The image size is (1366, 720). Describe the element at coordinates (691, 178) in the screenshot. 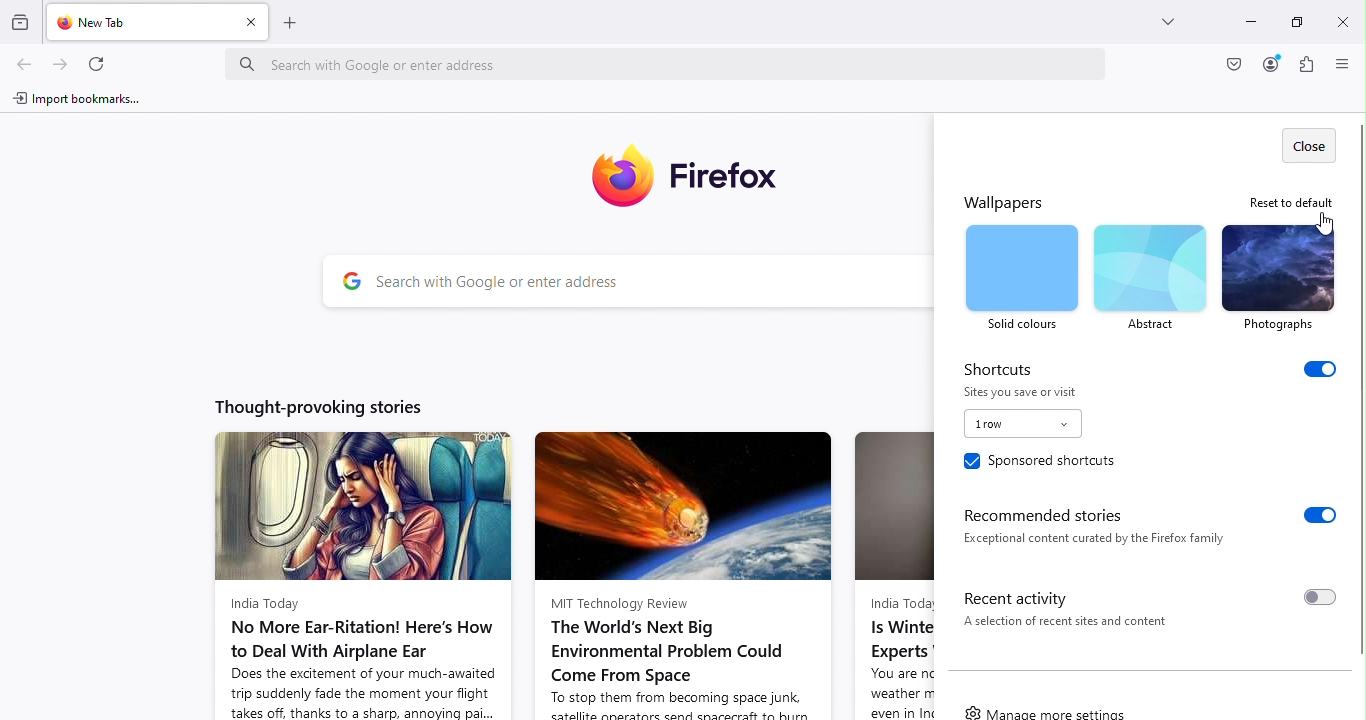

I see `Firefox icon` at that location.